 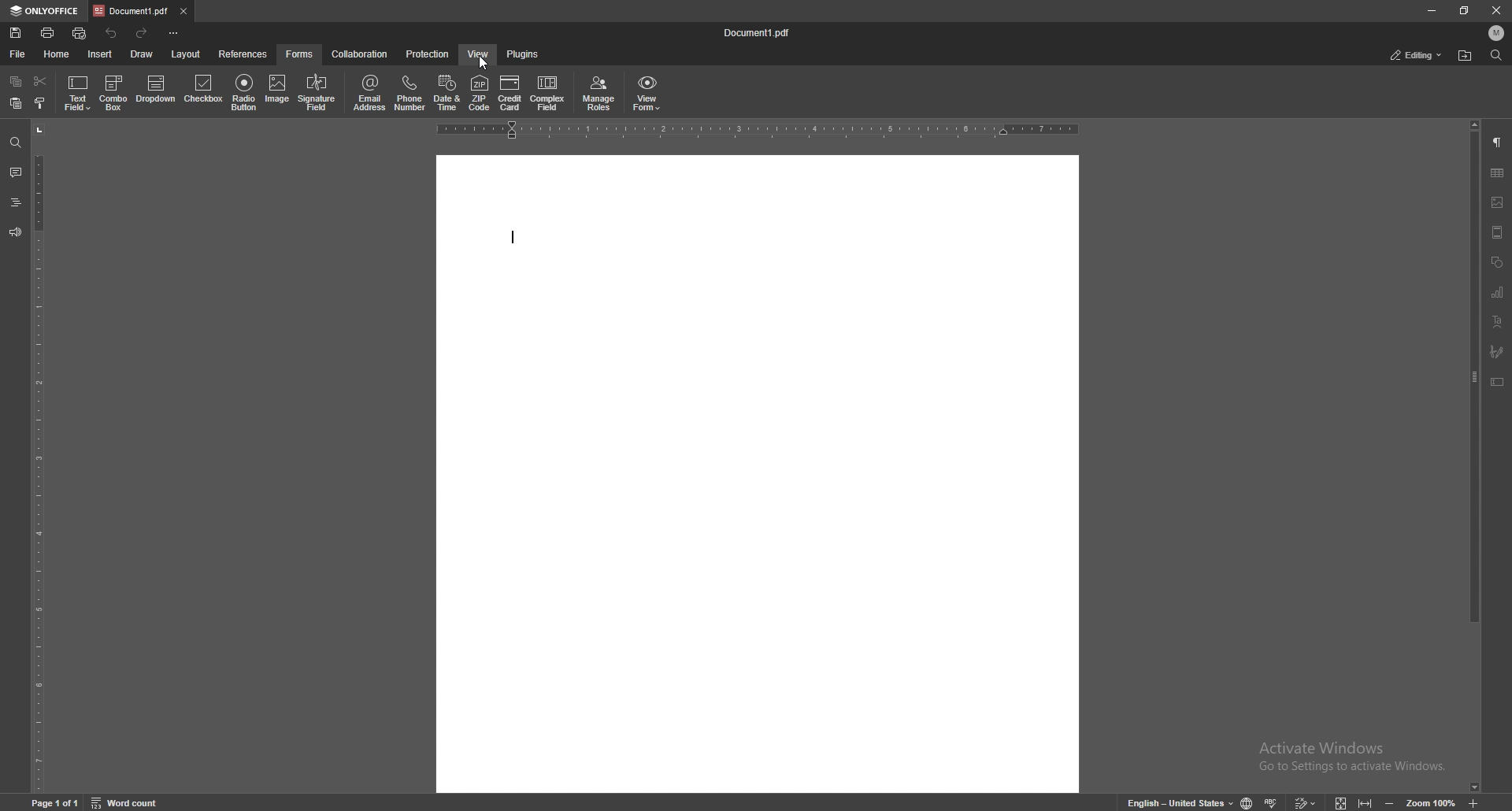 I want to click on collaboration, so click(x=362, y=55).